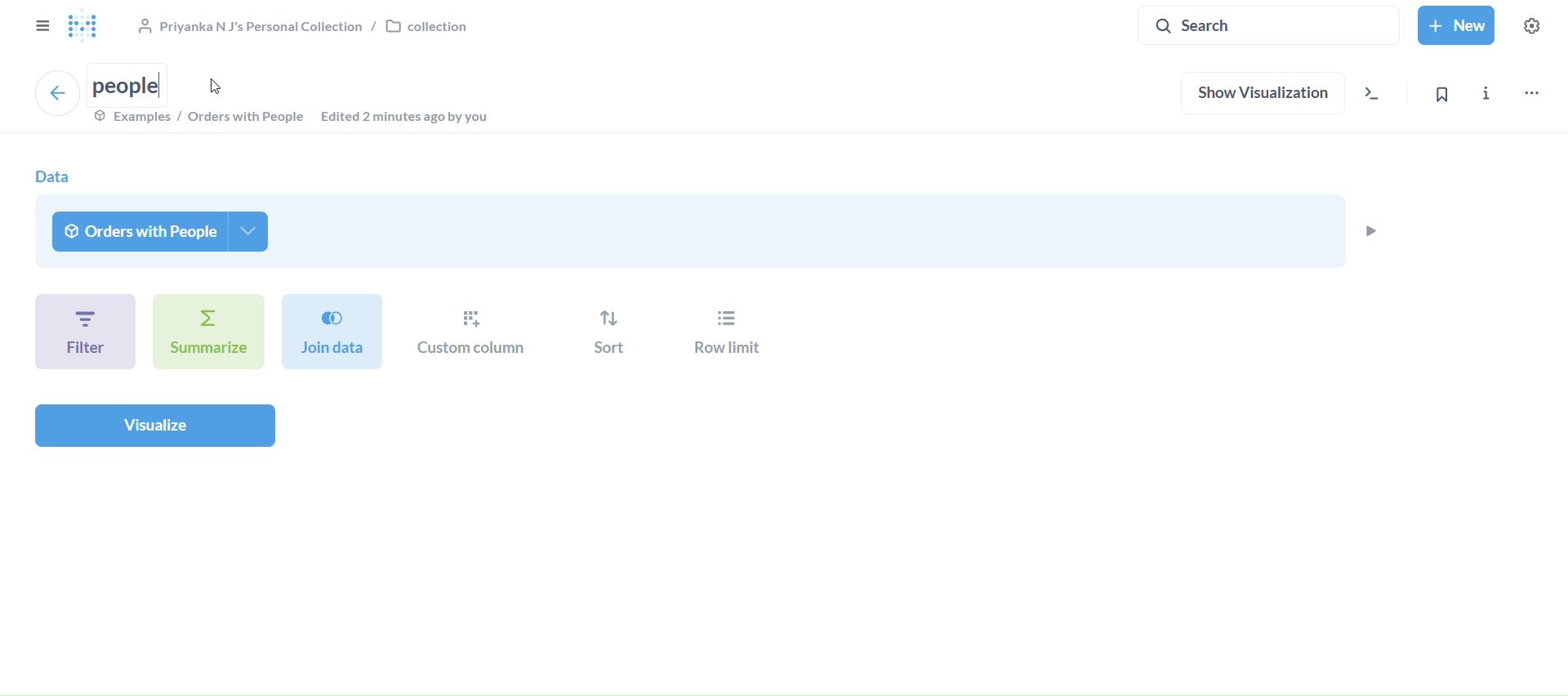 The image size is (1568, 696). What do you see at coordinates (198, 118) in the screenshot?
I see `examples/orders with prople ` at bounding box center [198, 118].